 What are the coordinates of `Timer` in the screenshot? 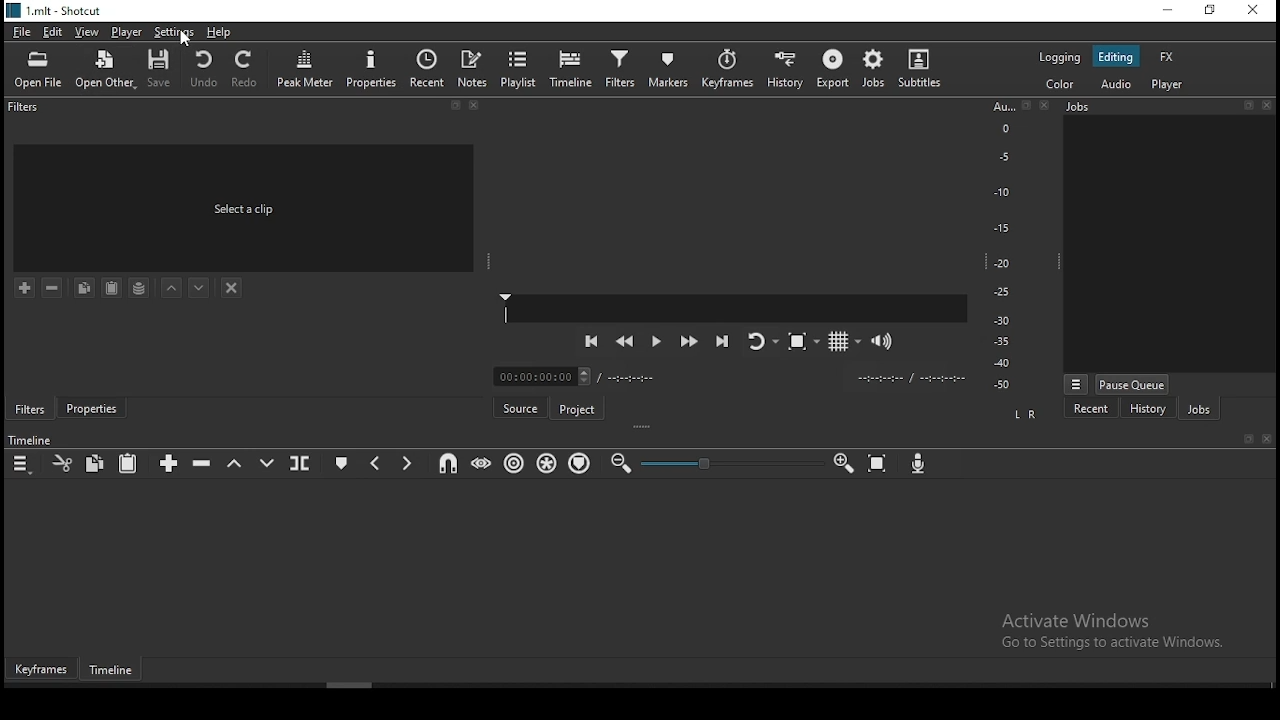 It's located at (732, 376).